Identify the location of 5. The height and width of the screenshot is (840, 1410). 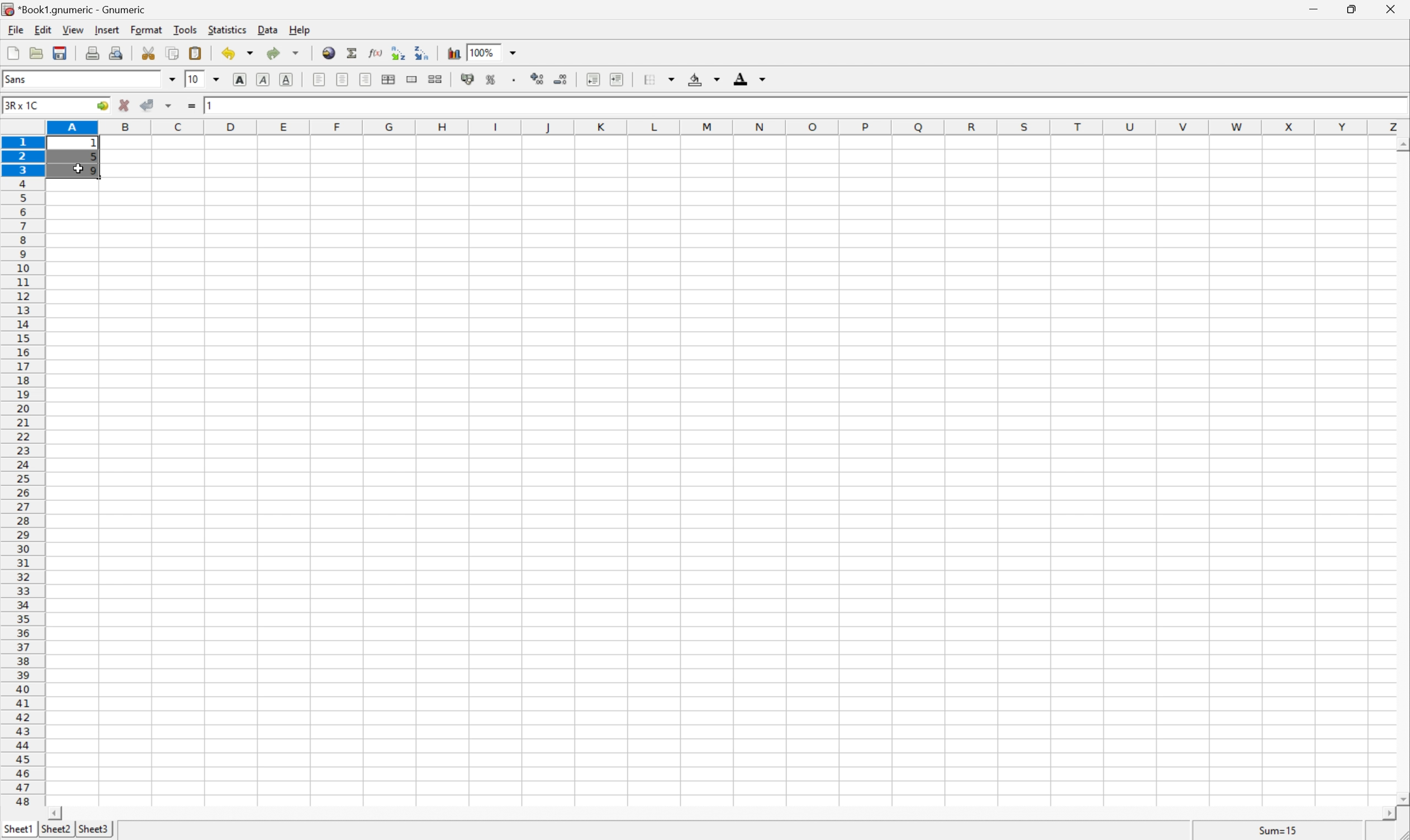
(93, 158).